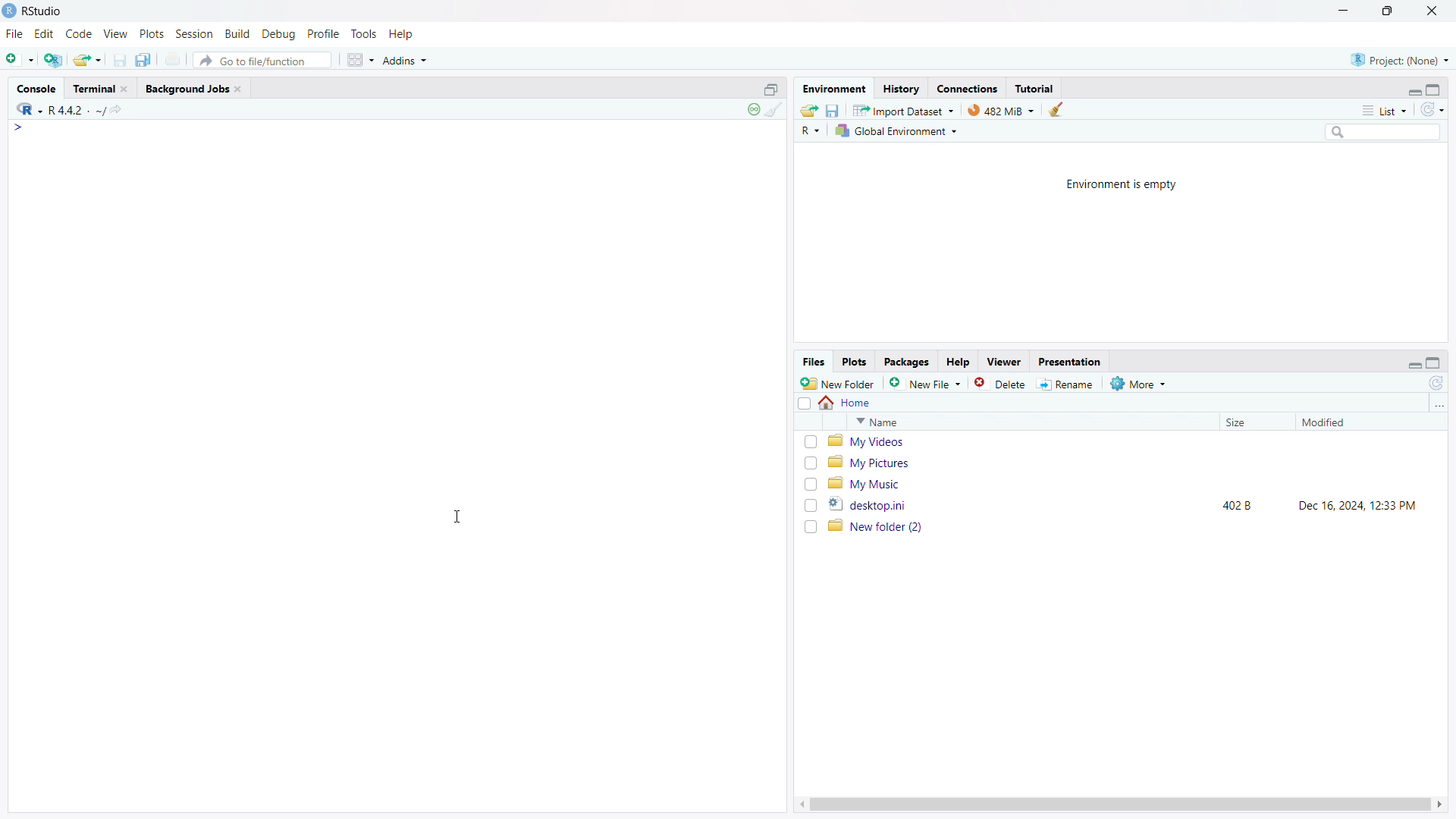 The height and width of the screenshot is (819, 1456). What do you see at coordinates (1341, 11) in the screenshot?
I see `minimize` at bounding box center [1341, 11].